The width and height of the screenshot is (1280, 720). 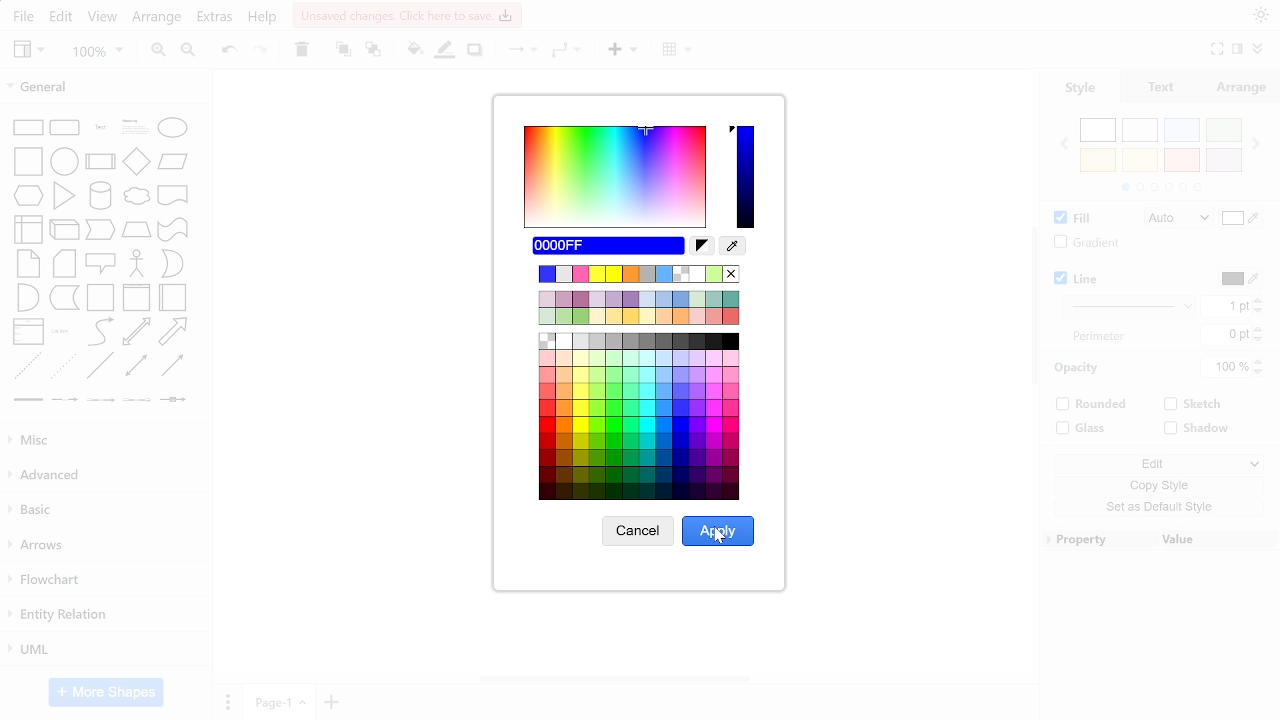 What do you see at coordinates (1218, 538) in the screenshot?
I see `value` at bounding box center [1218, 538].